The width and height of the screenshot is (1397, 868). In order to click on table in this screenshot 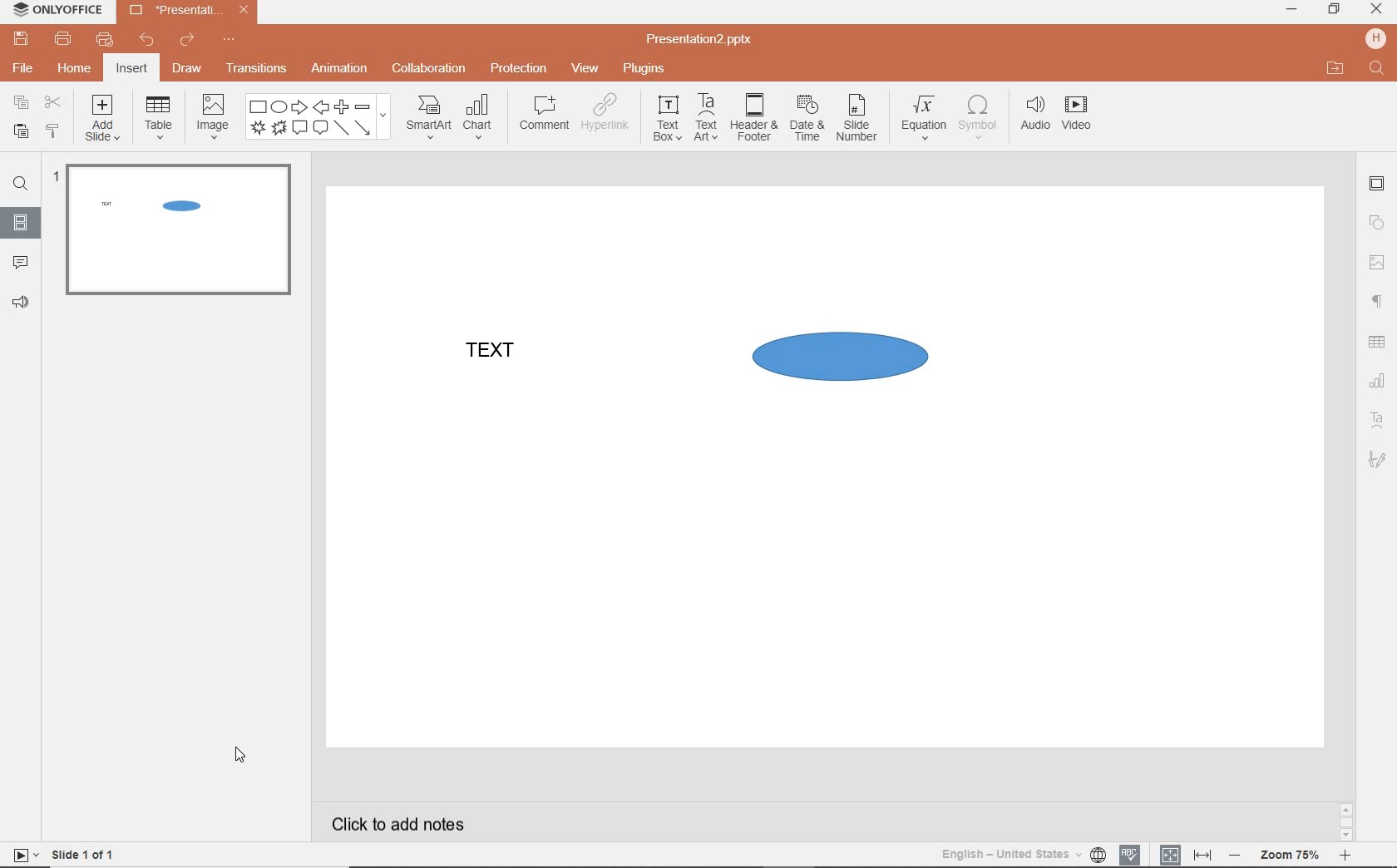, I will do `click(156, 118)`.